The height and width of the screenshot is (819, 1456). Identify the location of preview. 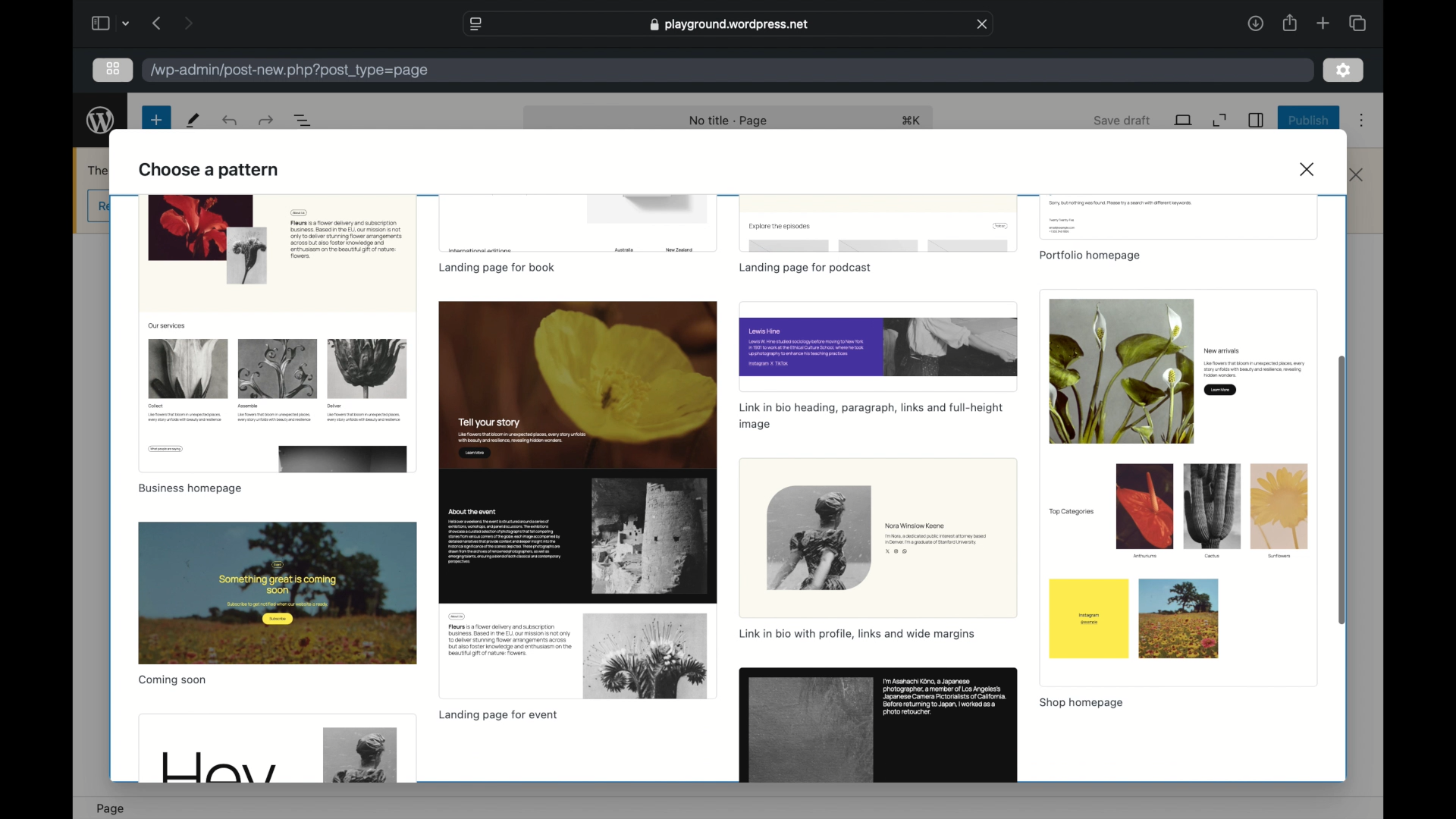
(278, 333).